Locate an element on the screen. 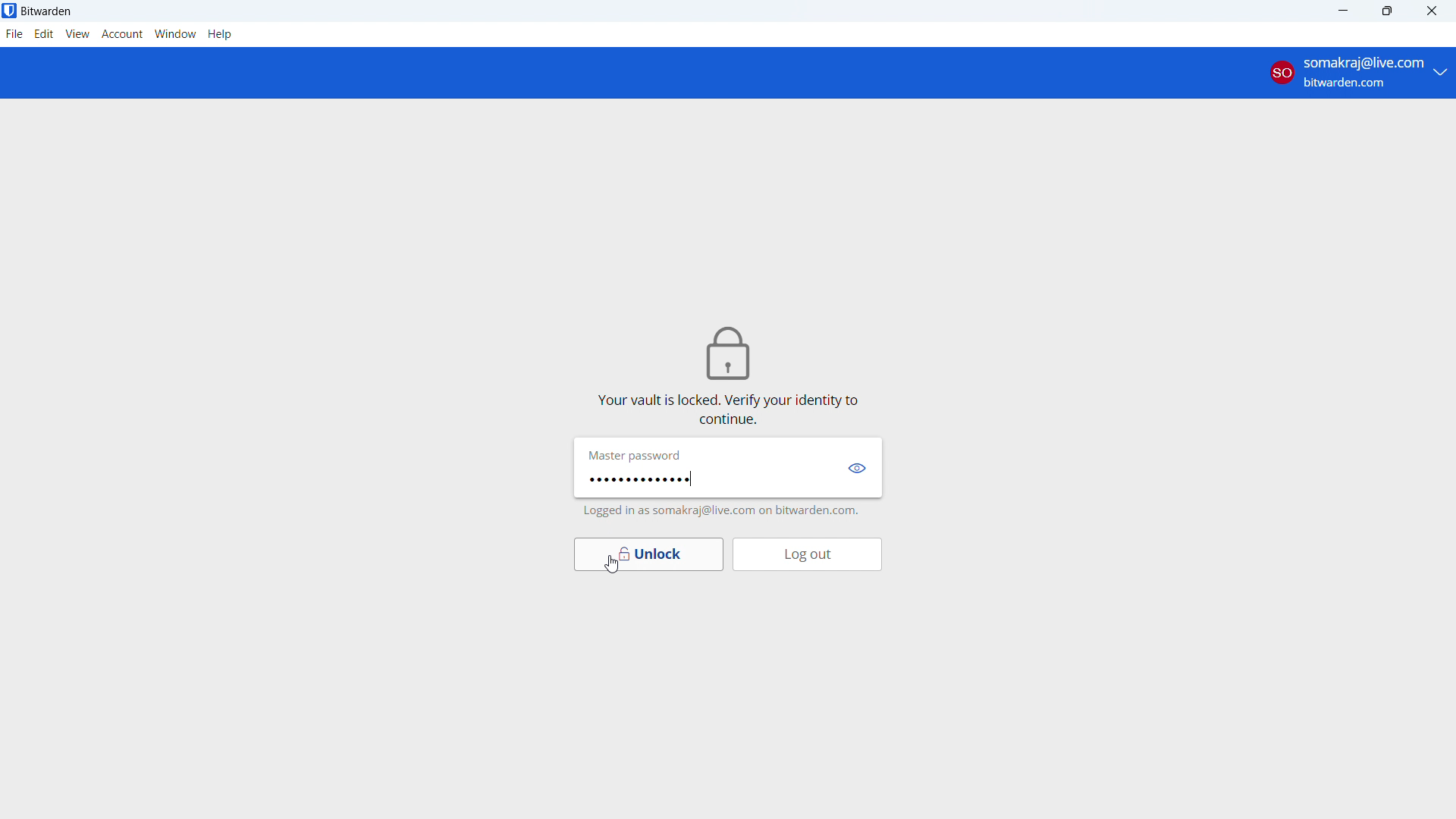  log out is located at coordinates (807, 554).